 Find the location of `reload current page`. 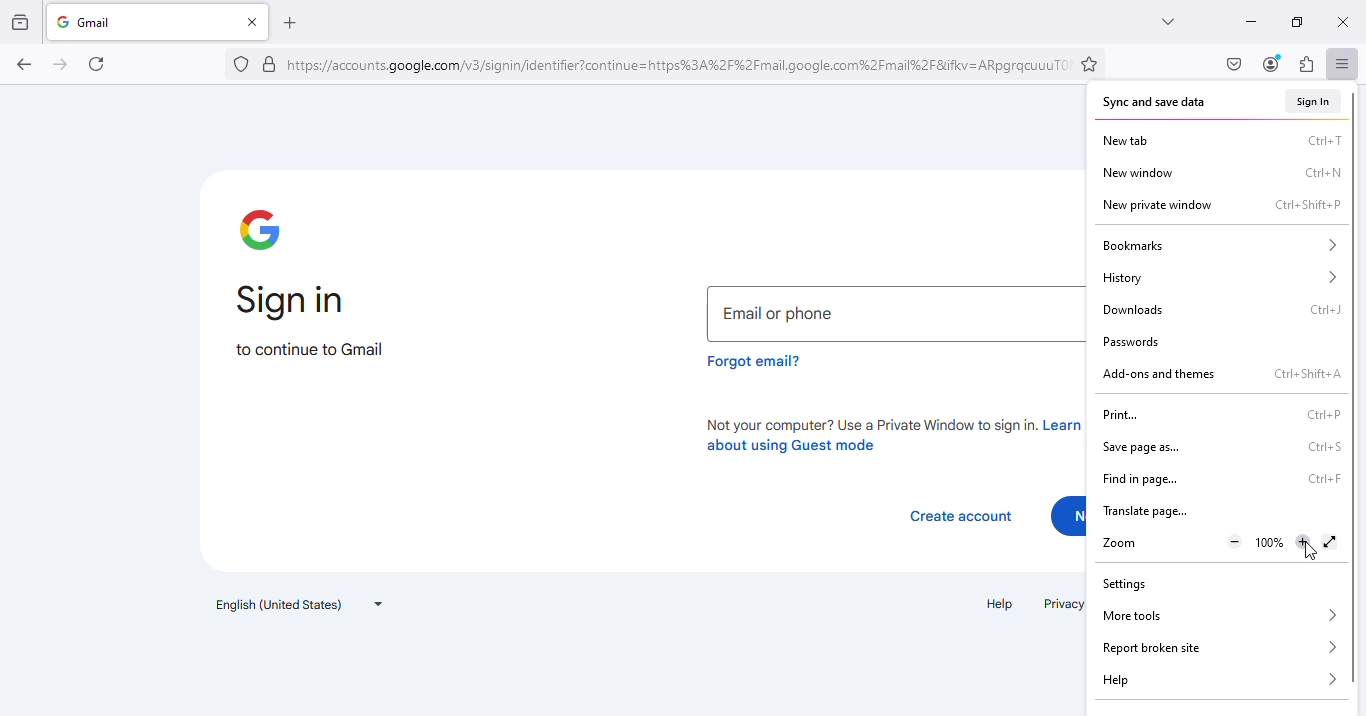

reload current page is located at coordinates (96, 64).